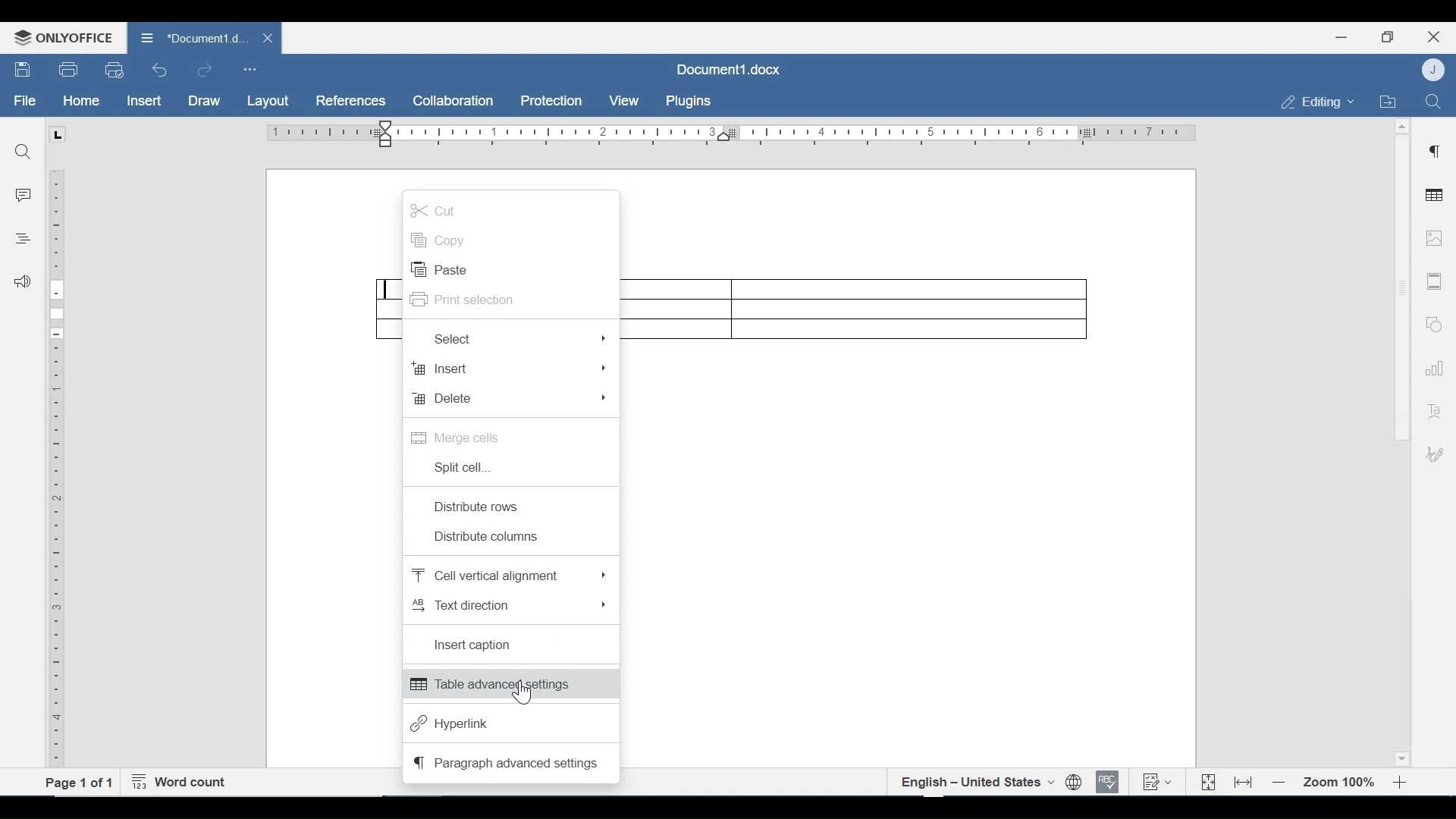 The width and height of the screenshot is (1456, 819). I want to click on image, so click(1434, 237).